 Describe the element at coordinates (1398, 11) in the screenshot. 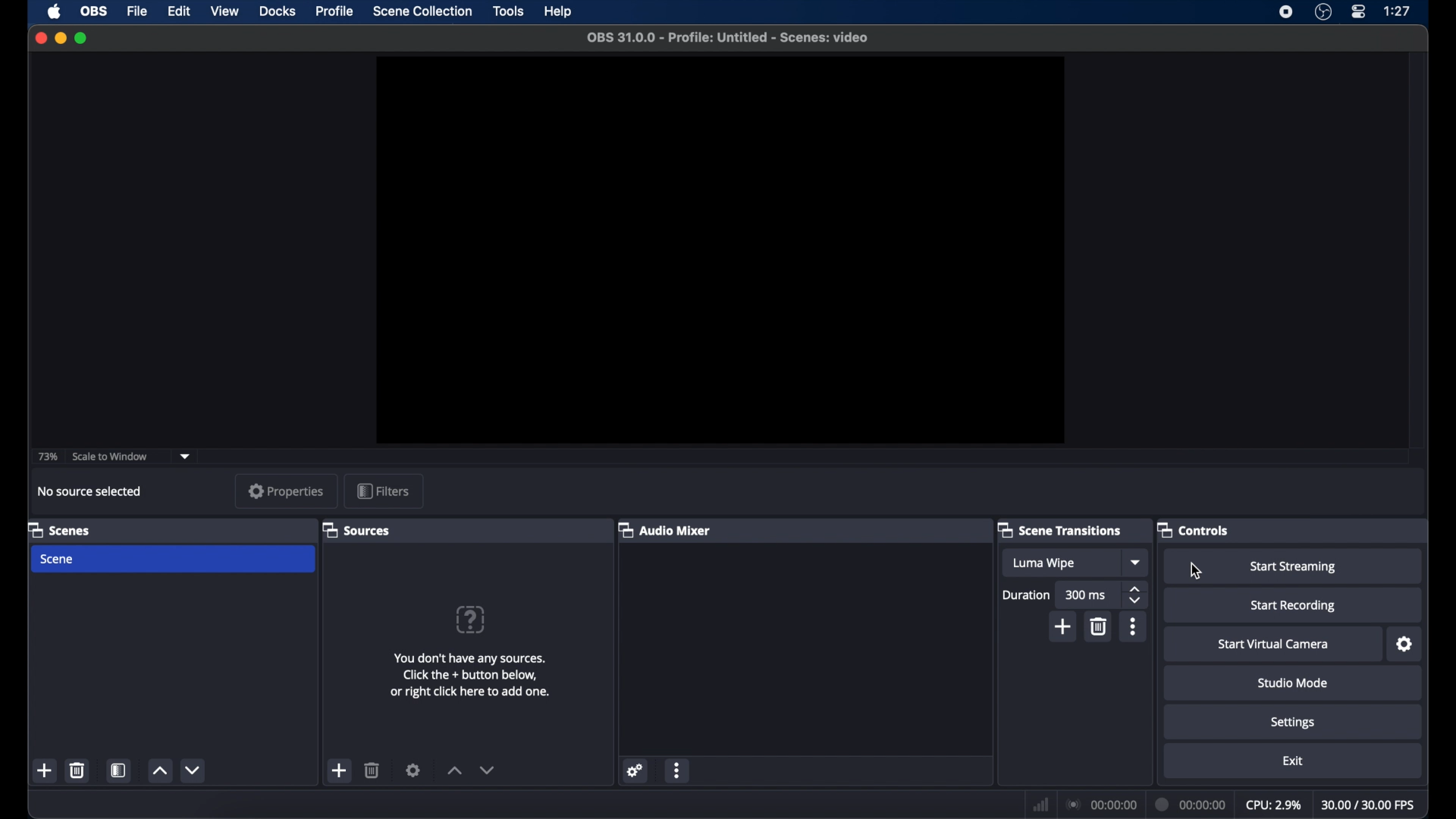

I see `1.27` at that location.